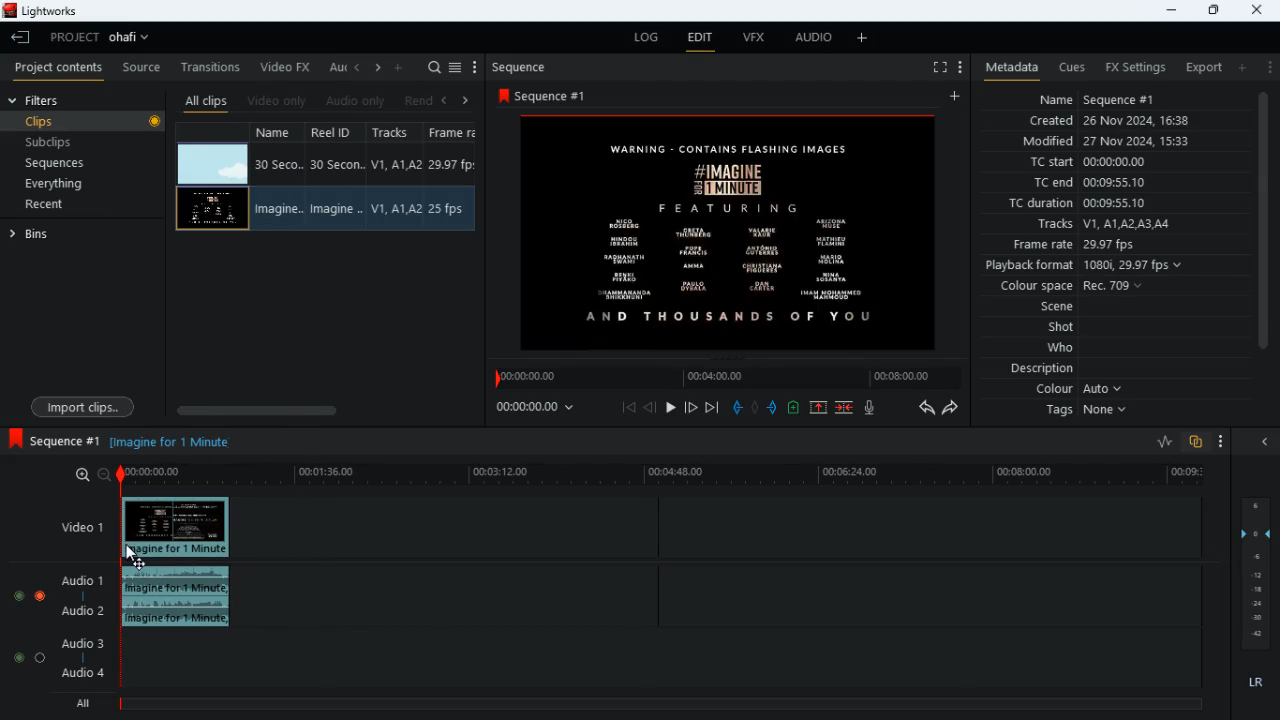 The height and width of the screenshot is (720, 1280). I want to click on left, so click(360, 69).